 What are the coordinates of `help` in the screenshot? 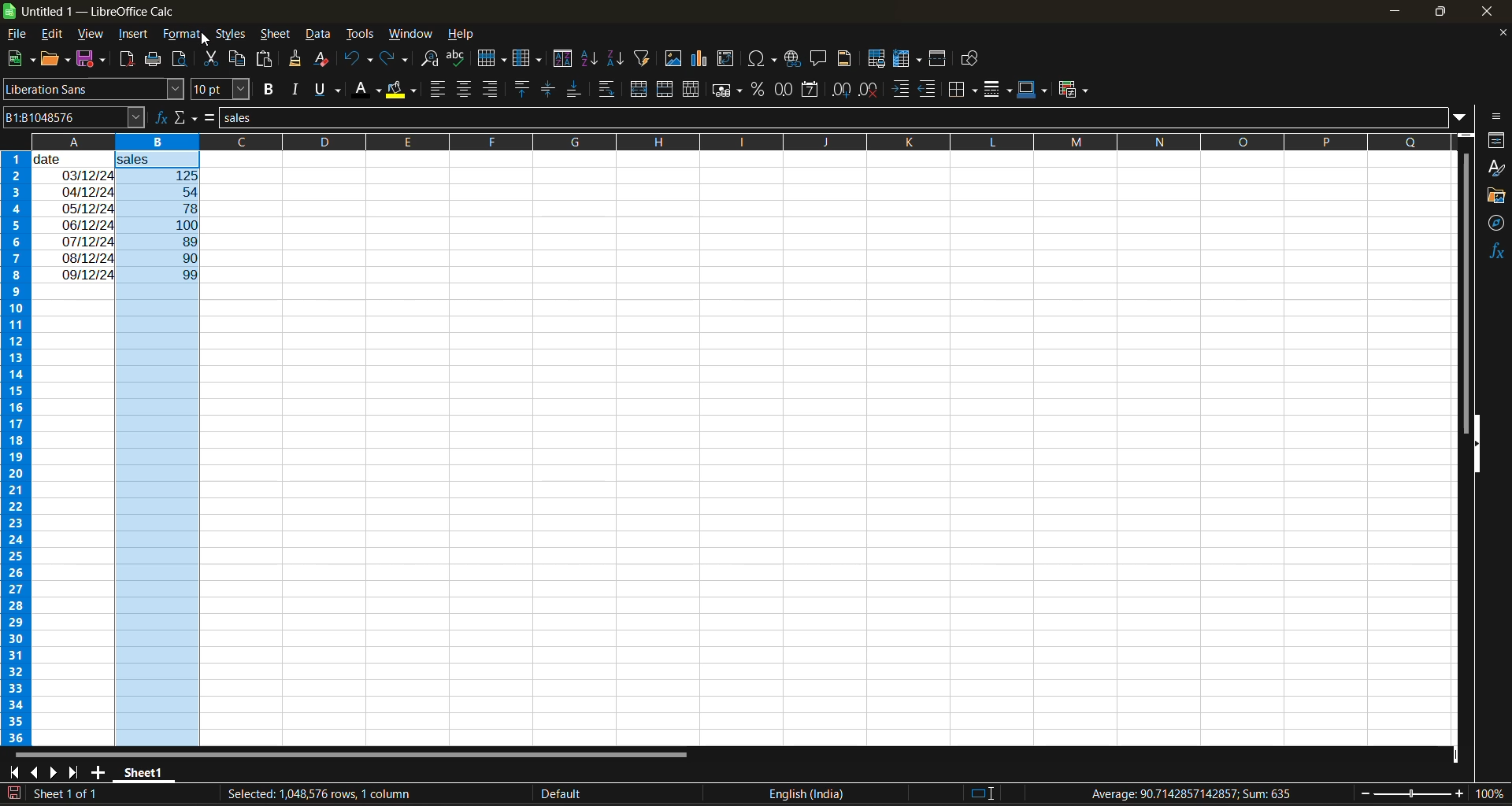 It's located at (461, 33).